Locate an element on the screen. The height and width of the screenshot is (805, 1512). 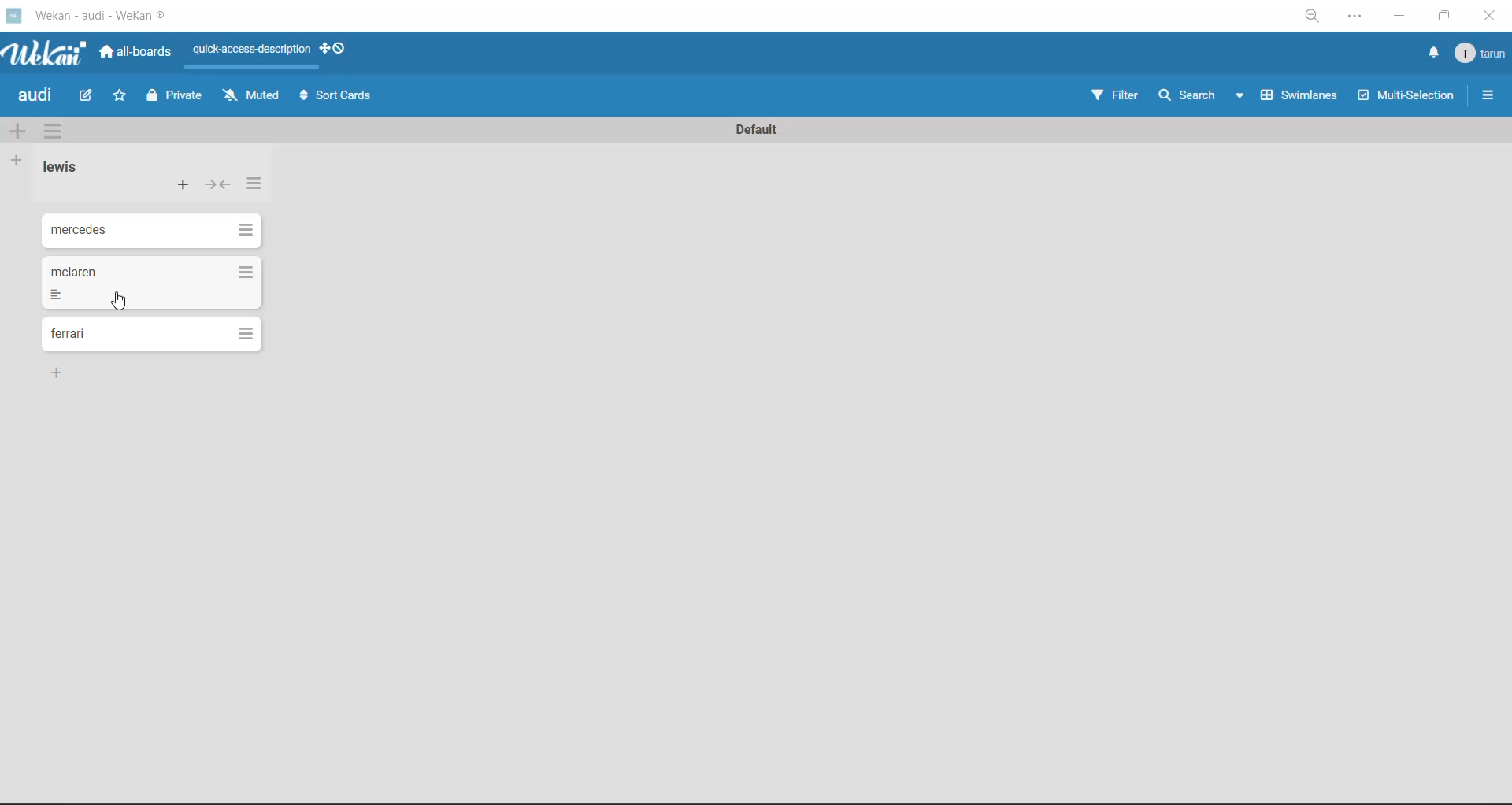
add list is located at coordinates (15, 161).